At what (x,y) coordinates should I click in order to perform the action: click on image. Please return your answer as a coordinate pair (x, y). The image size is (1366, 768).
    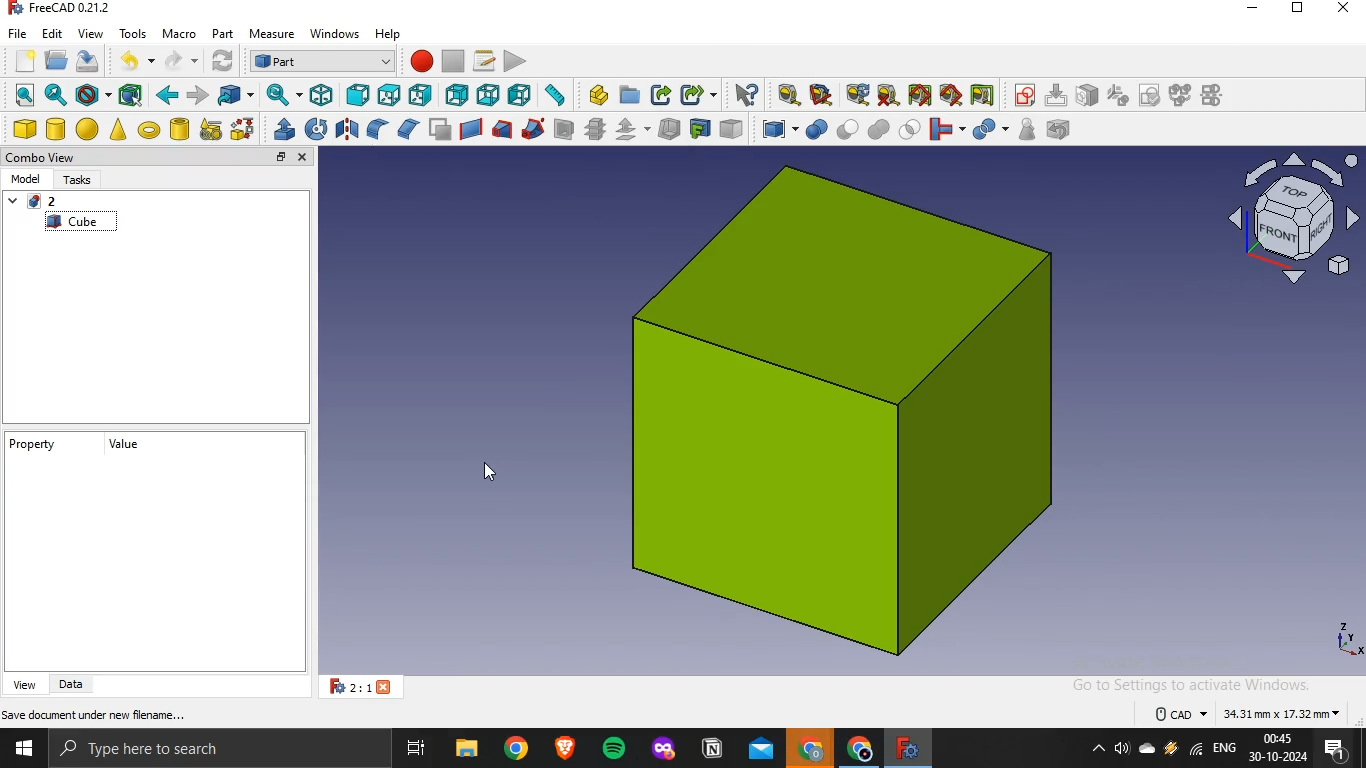
    Looking at the image, I should click on (854, 407).